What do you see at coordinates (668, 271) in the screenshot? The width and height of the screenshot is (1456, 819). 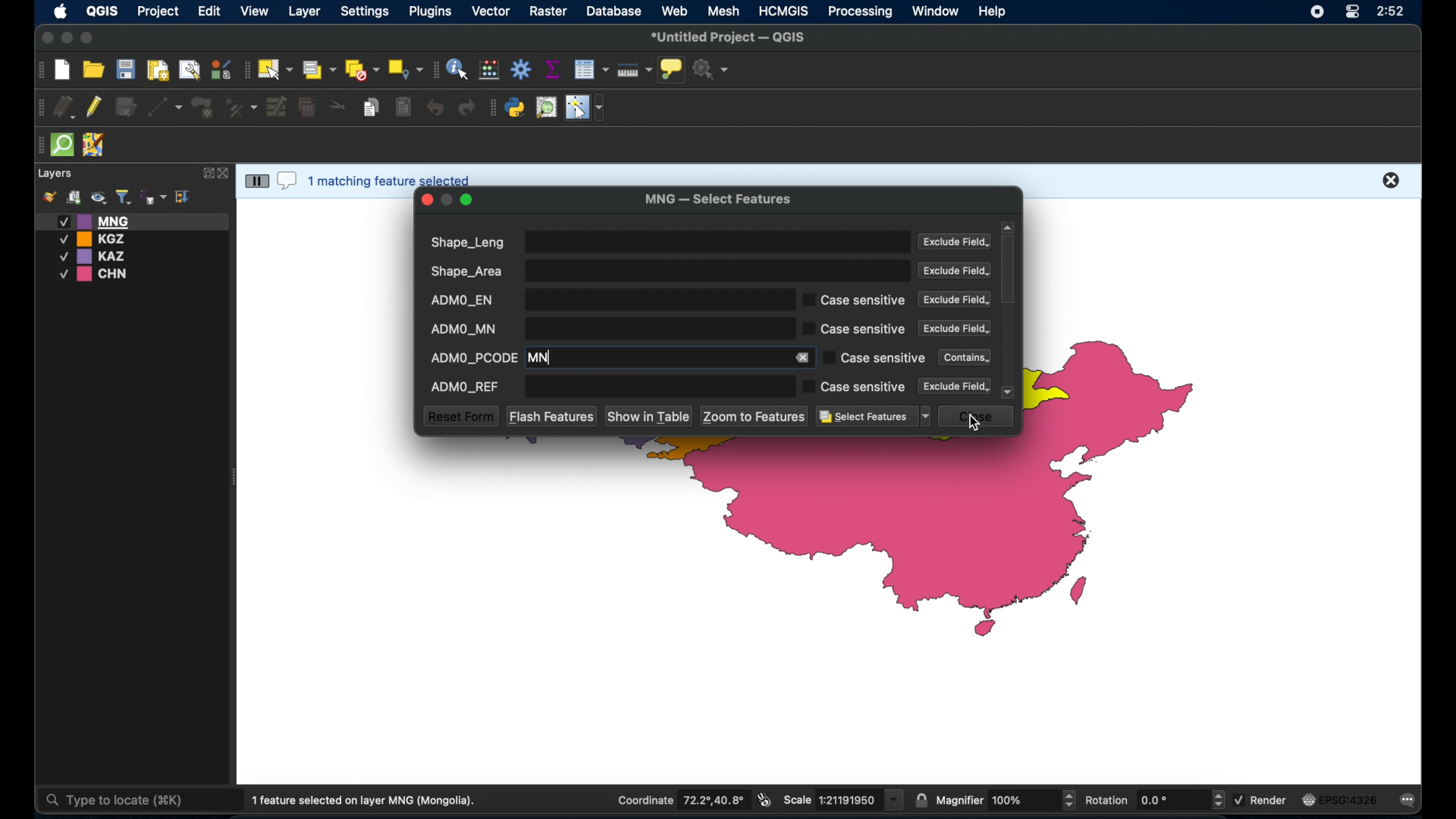 I see `shape_area` at bounding box center [668, 271].